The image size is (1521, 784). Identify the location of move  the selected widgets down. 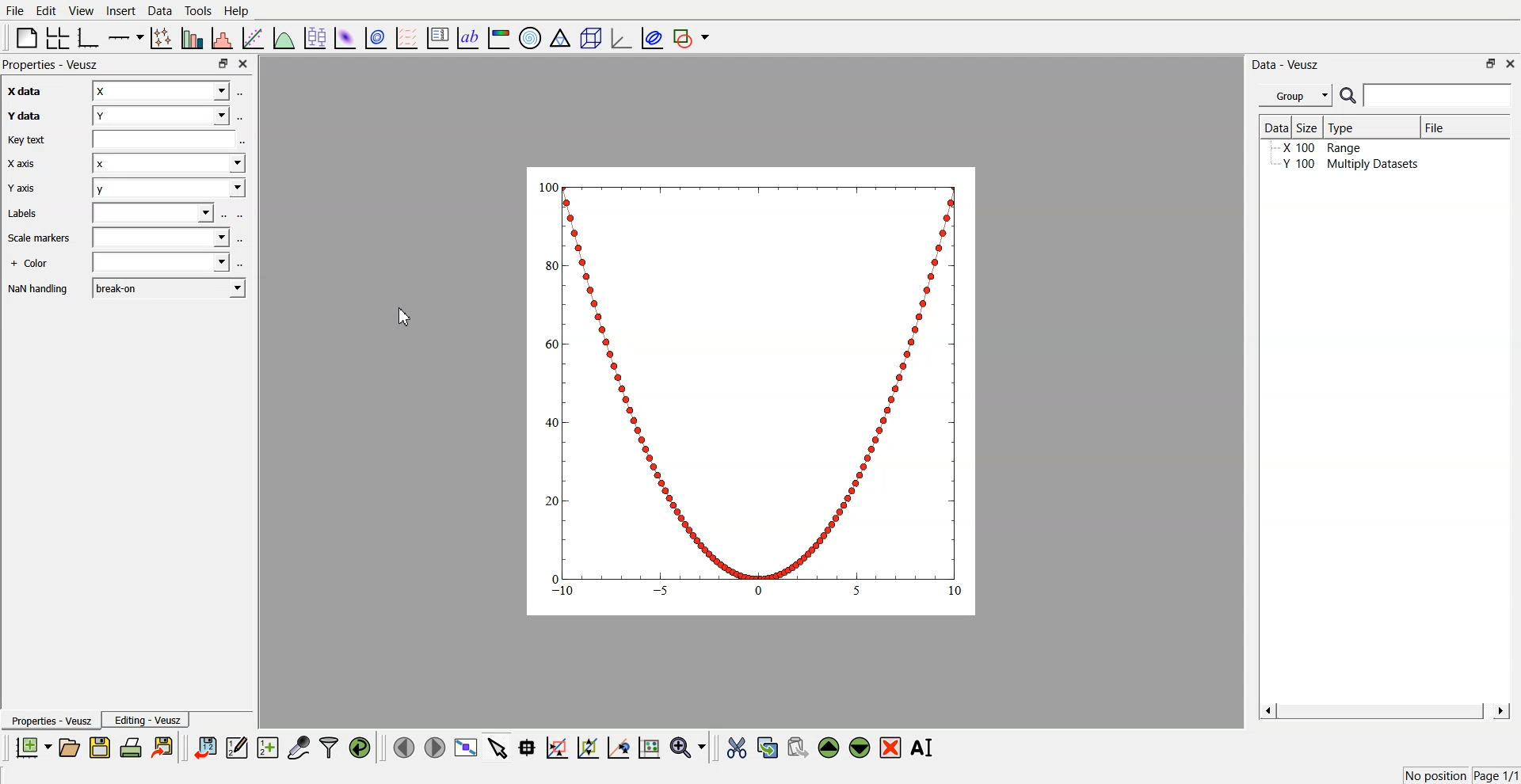
(860, 746).